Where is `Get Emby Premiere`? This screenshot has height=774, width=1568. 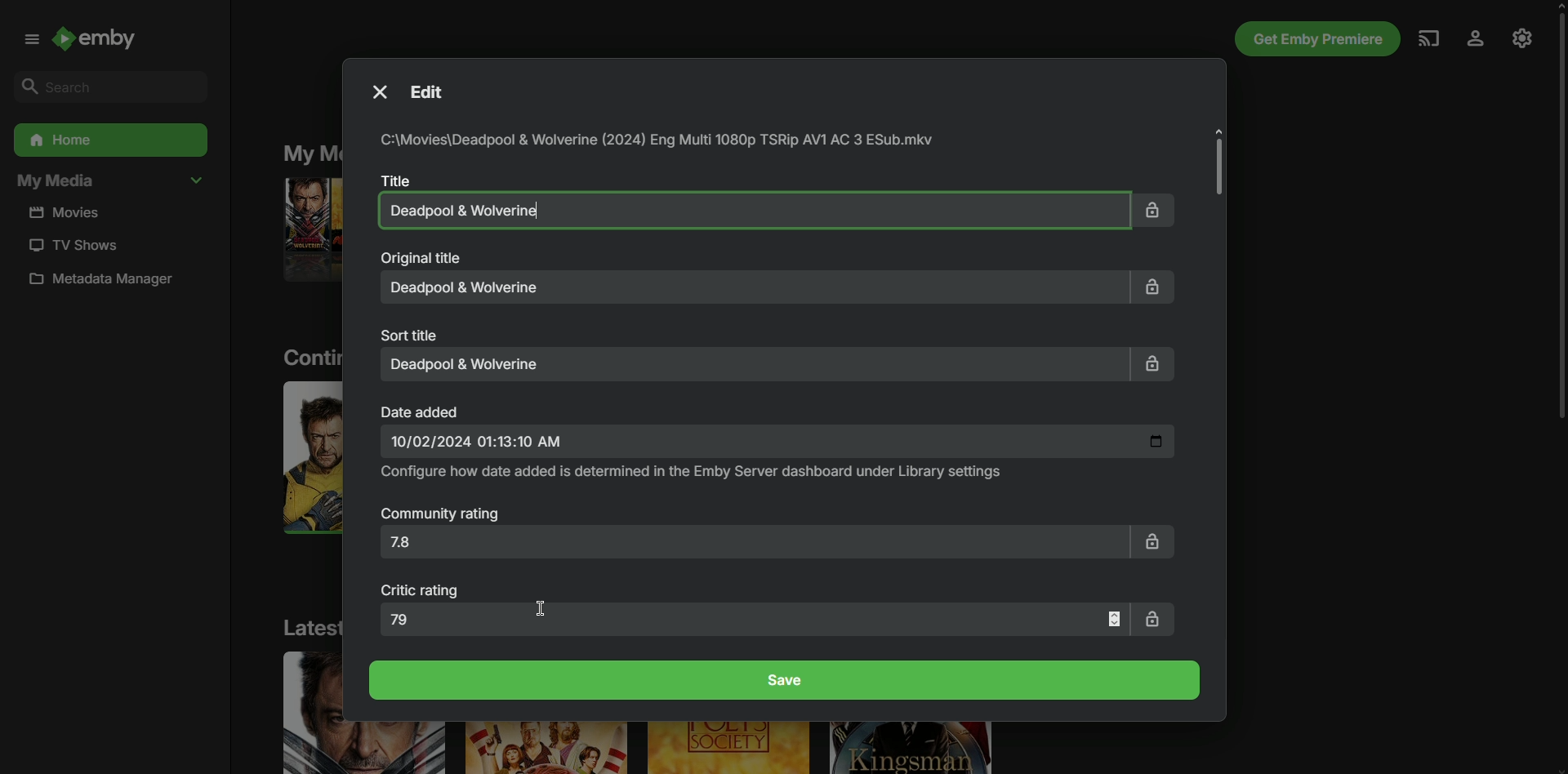 Get Emby Premiere is located at coordinates (1314, 39).